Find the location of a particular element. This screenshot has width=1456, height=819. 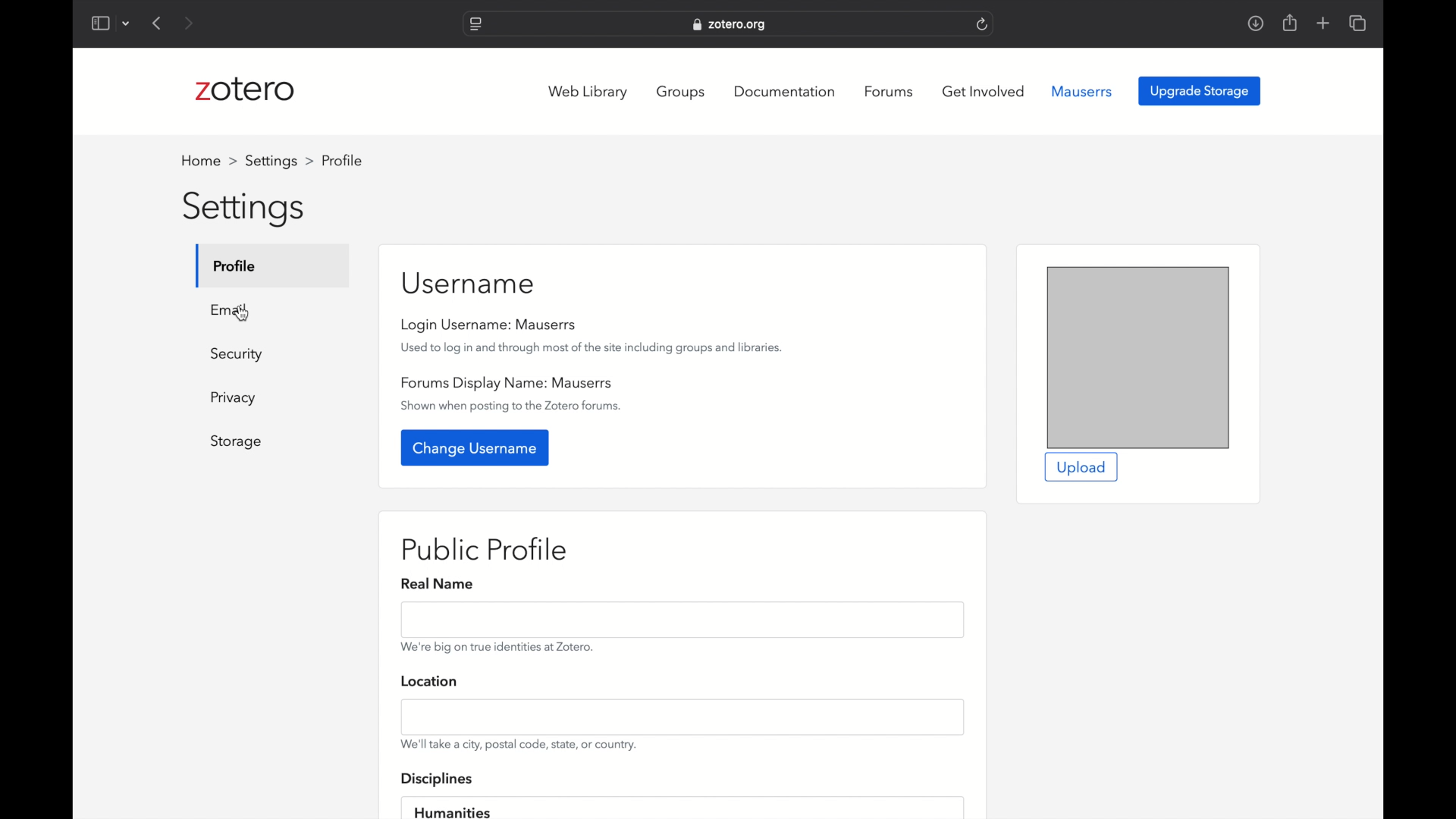

public profile is located at coordinates (485, 550).